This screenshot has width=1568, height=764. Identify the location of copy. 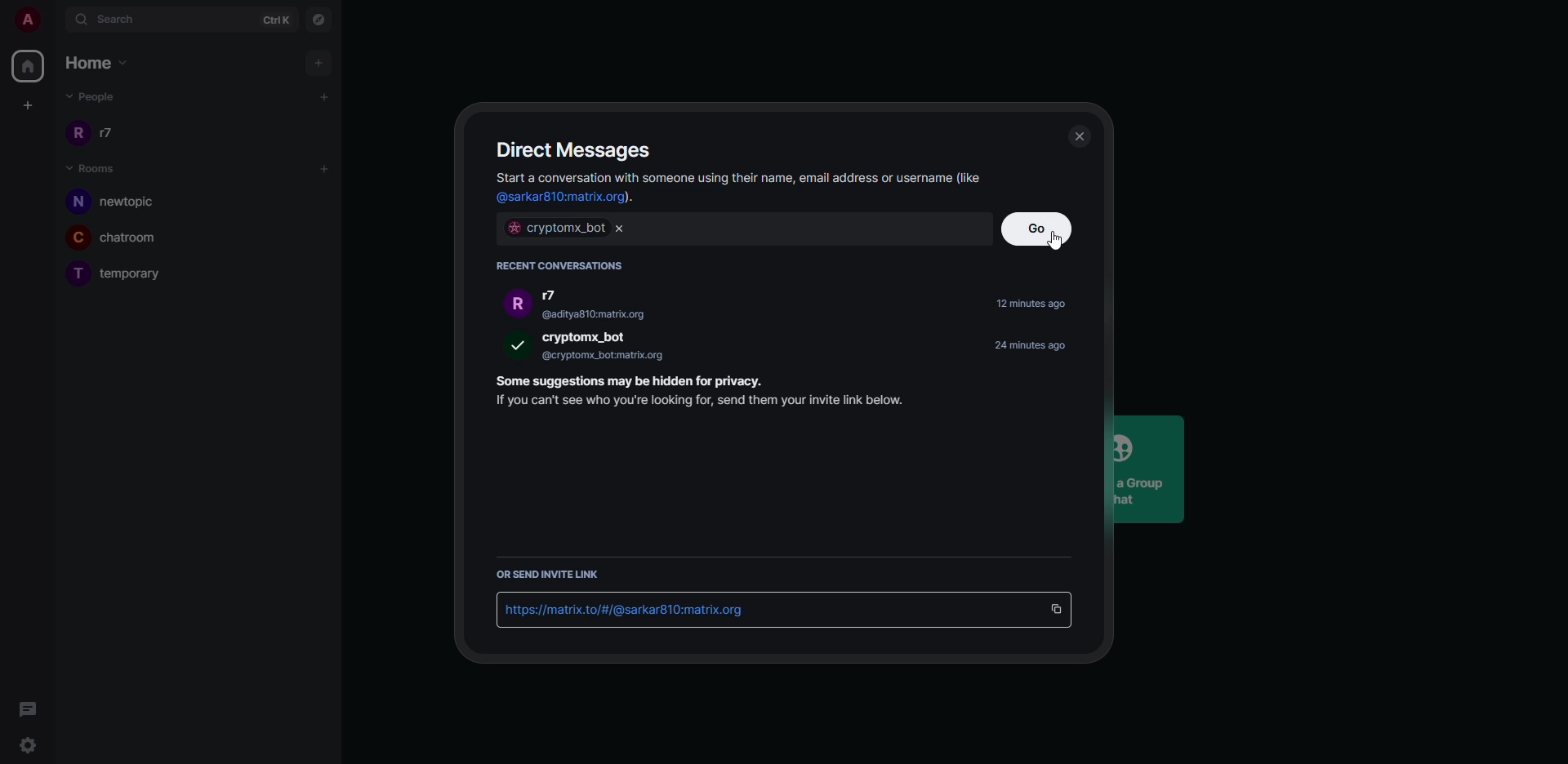
(1053, 611).